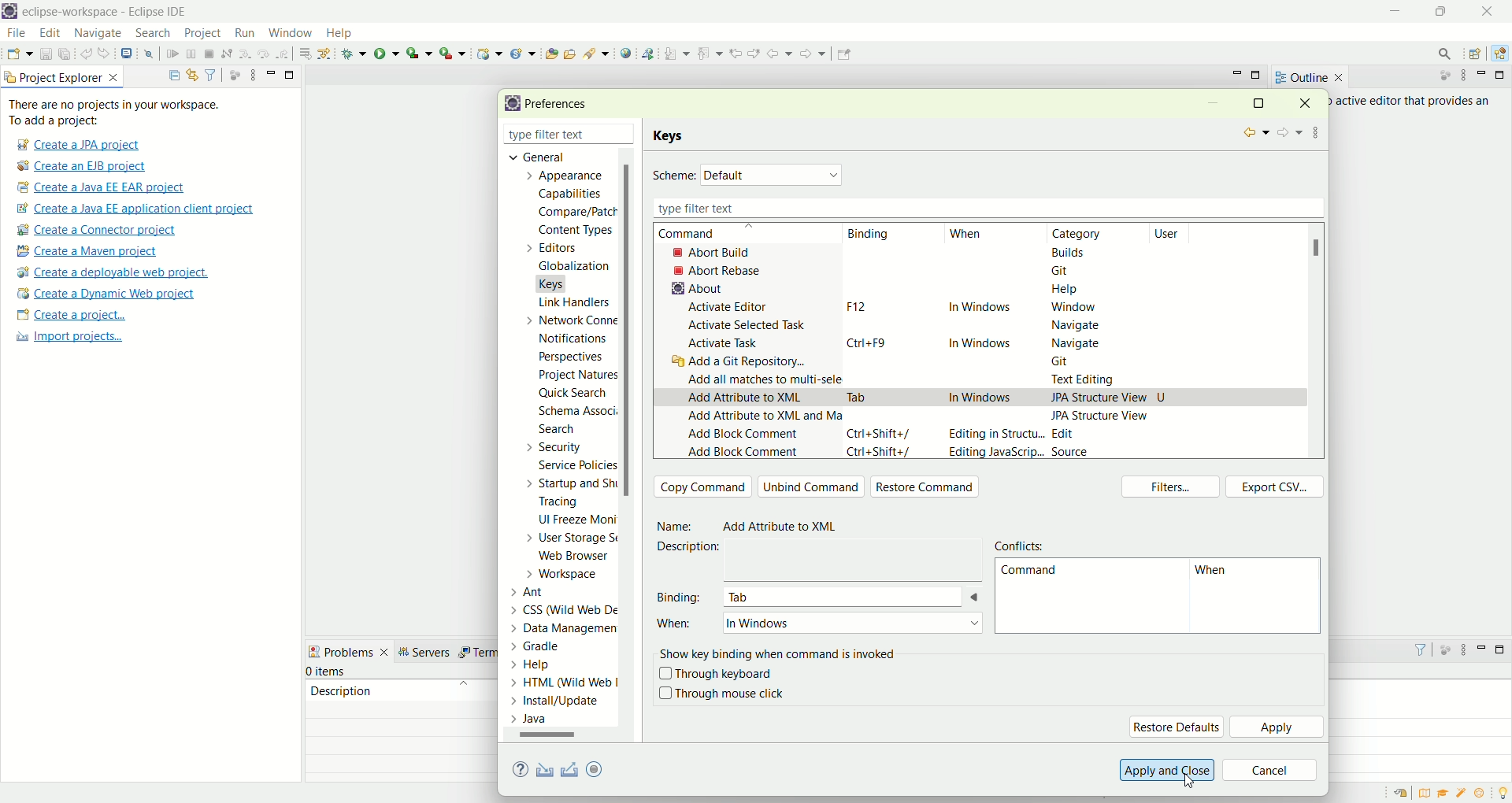 The width and height of the screenshot is (1512, 803). What do you see at coordinates (510, 104) in the screenshot?
I see `logo` at bounding box center [510, 104].